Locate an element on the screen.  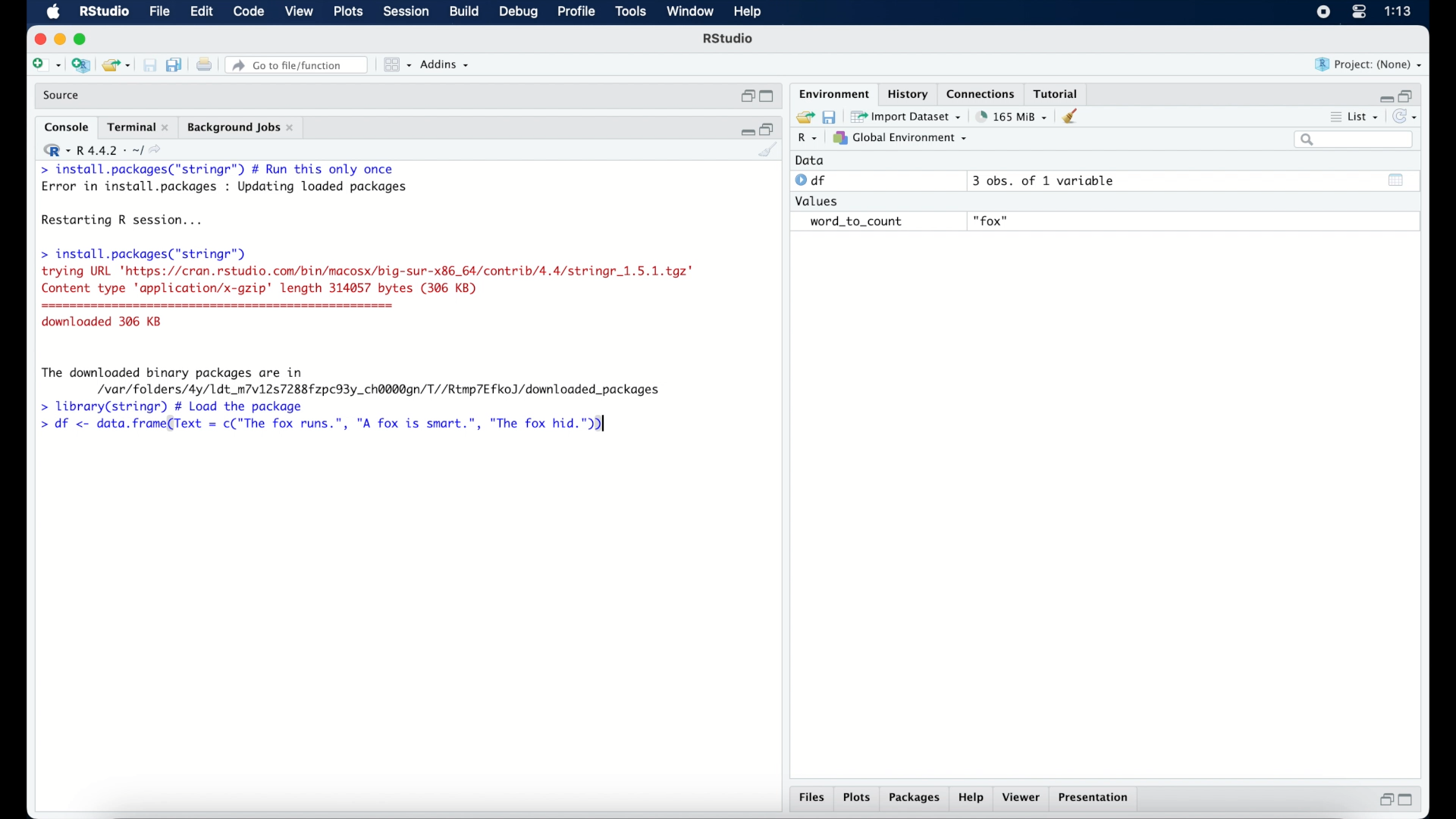
create new project is located at coordinates (80, 66).